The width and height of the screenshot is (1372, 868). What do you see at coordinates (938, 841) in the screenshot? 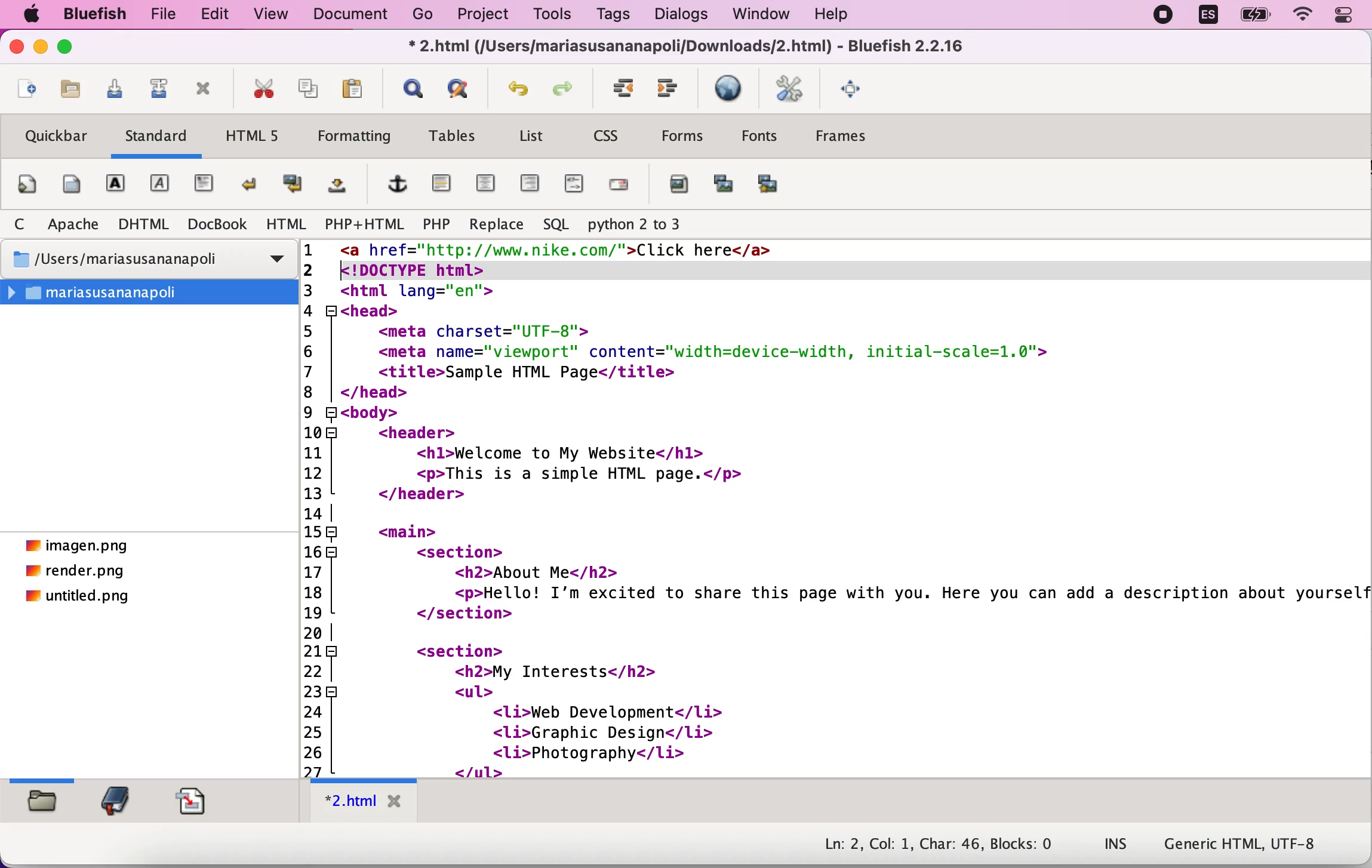
I see `Ln: 2, Col: 1, Char: 46, Blocks: 0` at bounding box center [938, 841].